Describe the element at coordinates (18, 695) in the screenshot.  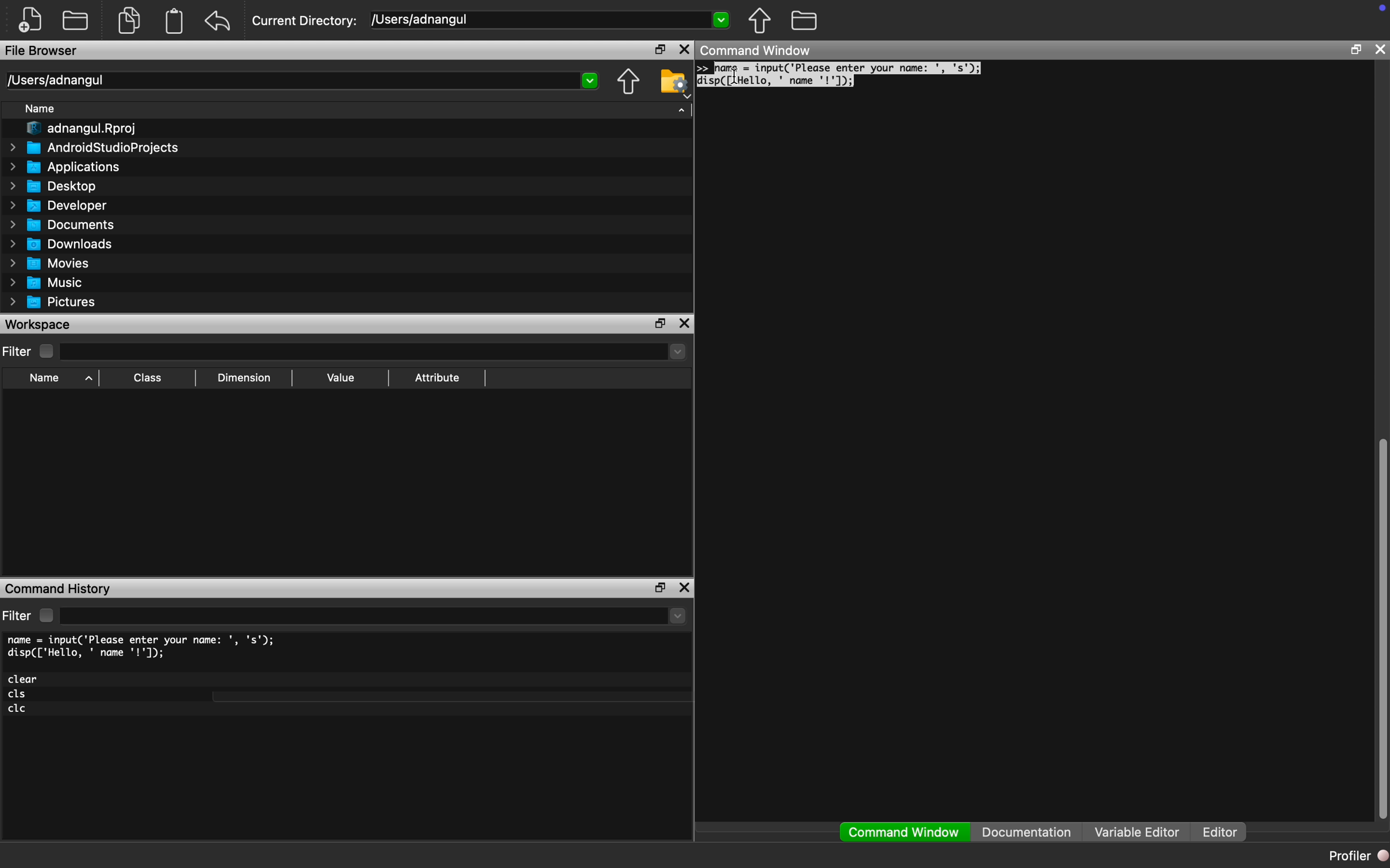
I see `cls` at that location.